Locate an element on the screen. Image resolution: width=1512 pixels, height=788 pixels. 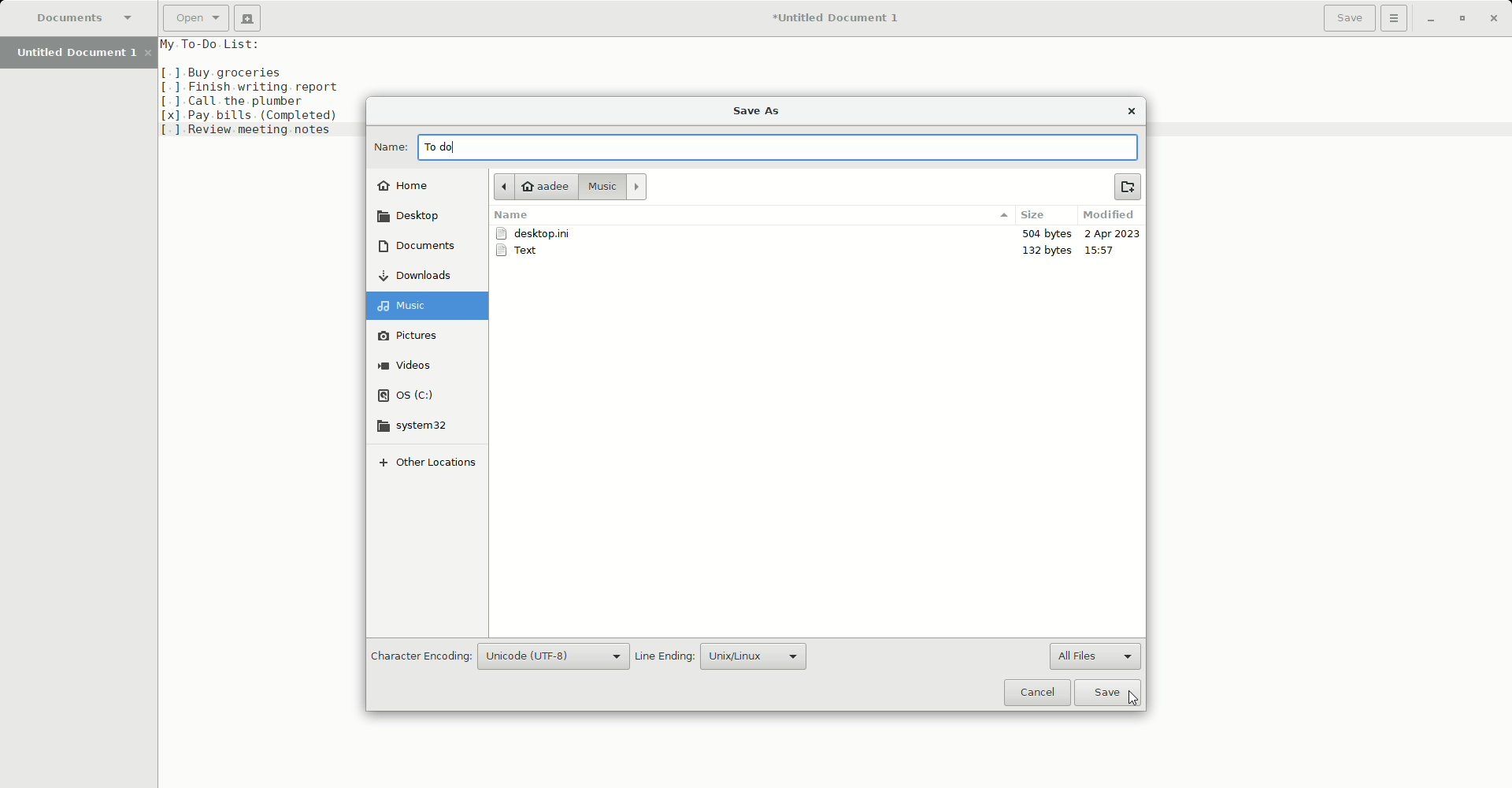
Music is located at coordinates (432, 305).